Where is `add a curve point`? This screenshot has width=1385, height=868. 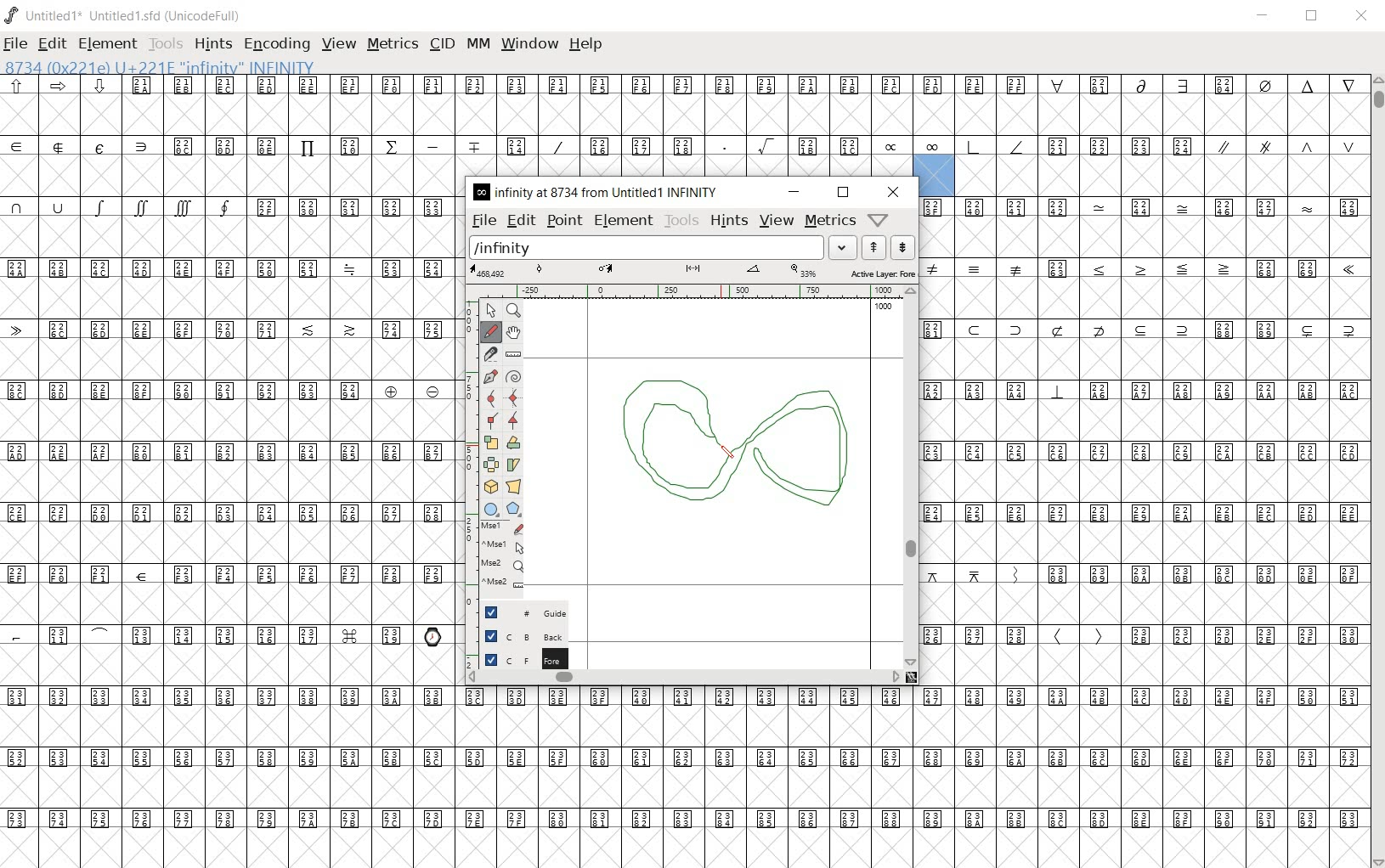
add a curve point is located at coordinates (491, 399).